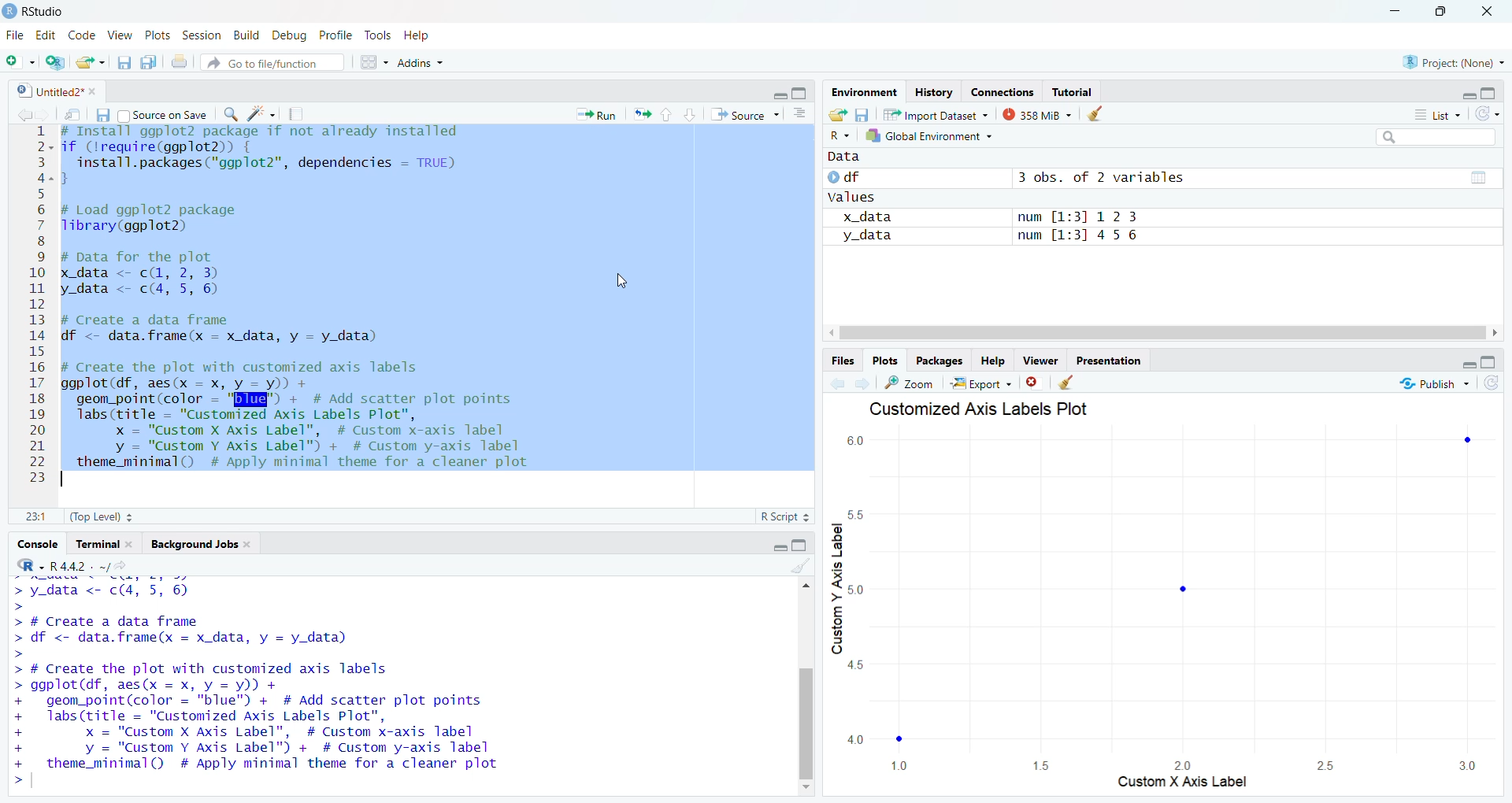  I want to click on minimise, so click(1462, 95).